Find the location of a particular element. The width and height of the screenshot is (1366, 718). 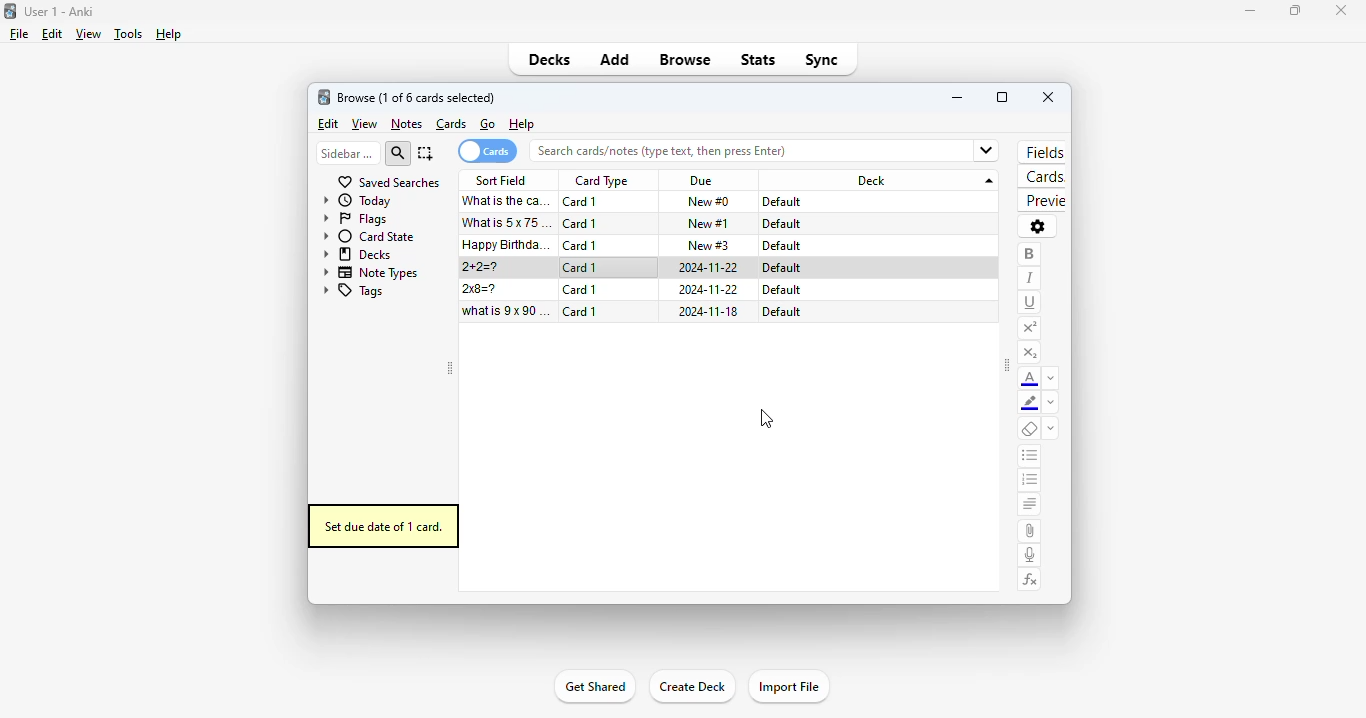

ordered list is located at coordinates (1030, 482).